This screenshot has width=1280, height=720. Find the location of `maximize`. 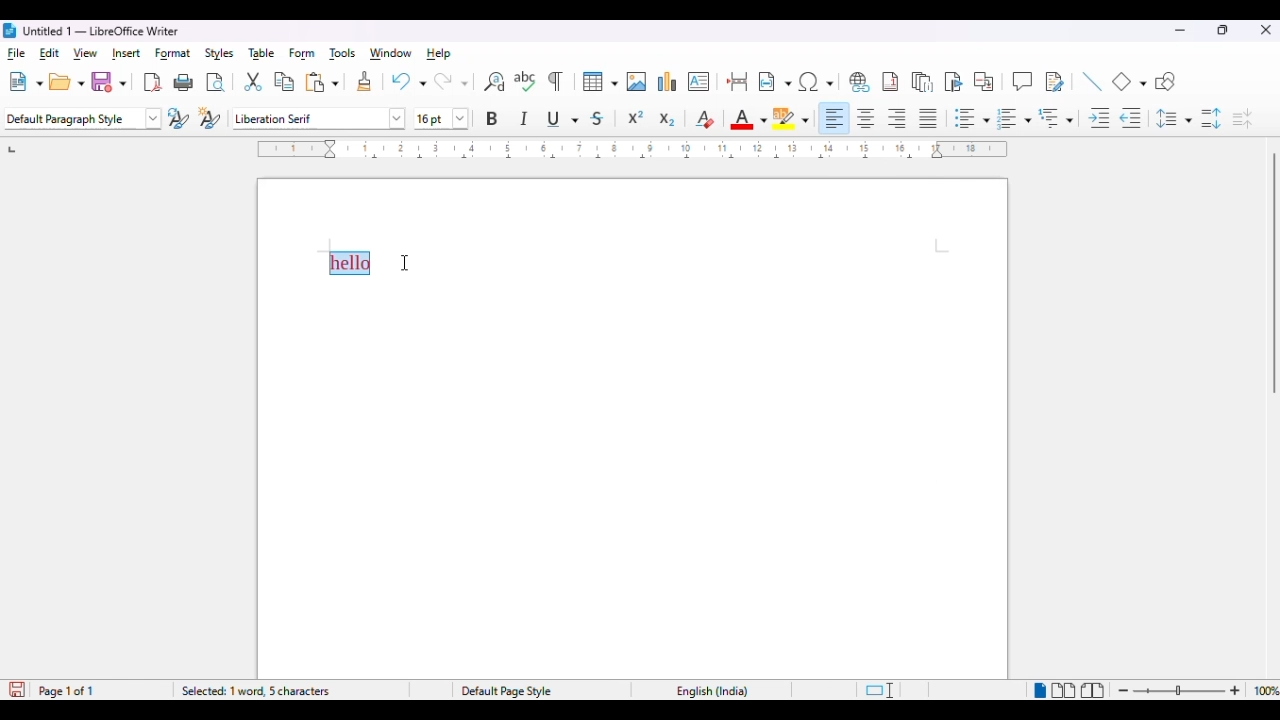

maximize is located at coordinates (1224, 30).